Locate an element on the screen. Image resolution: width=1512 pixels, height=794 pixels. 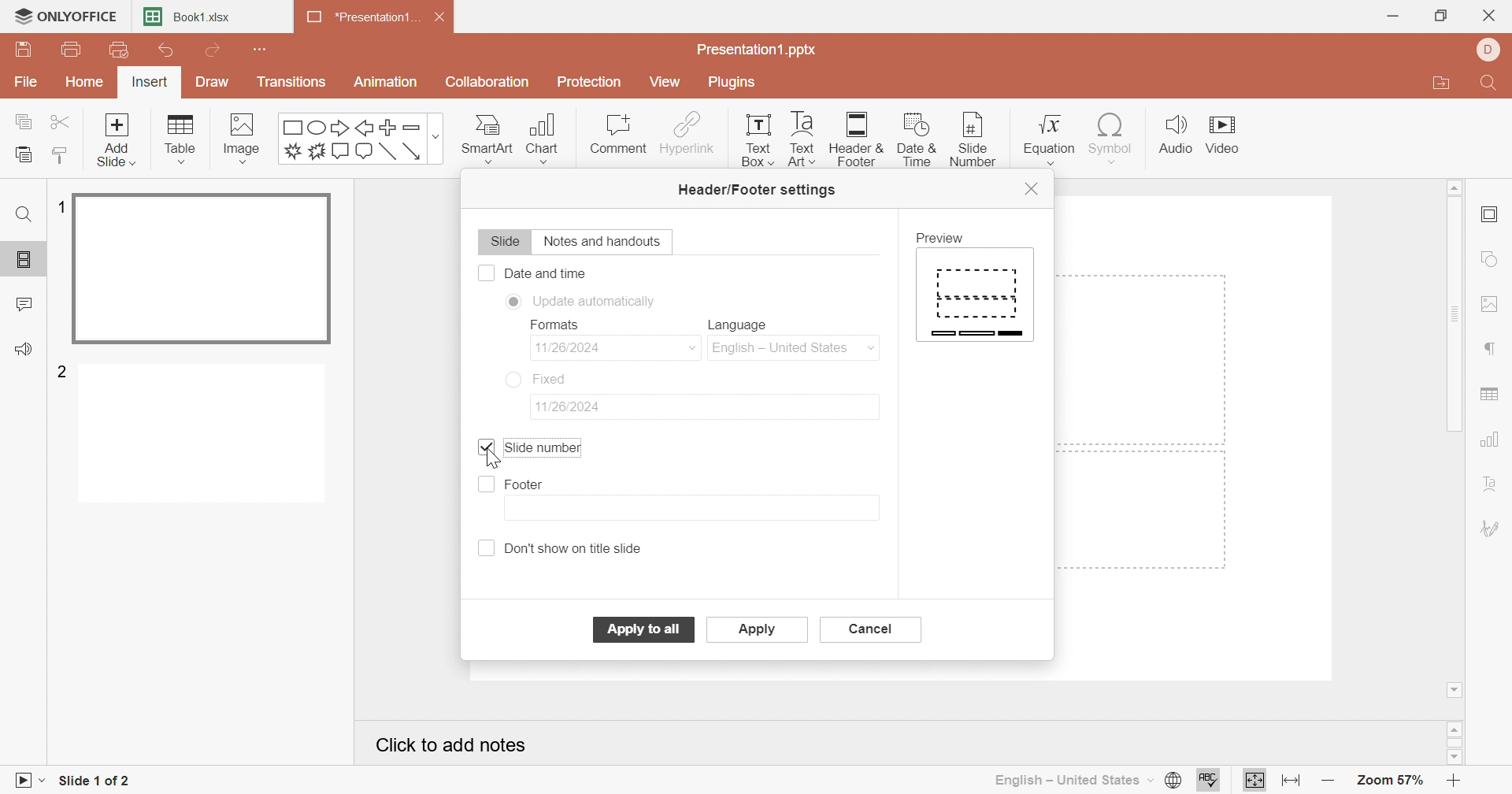
Checkbox is located at coordinates (488, 444).